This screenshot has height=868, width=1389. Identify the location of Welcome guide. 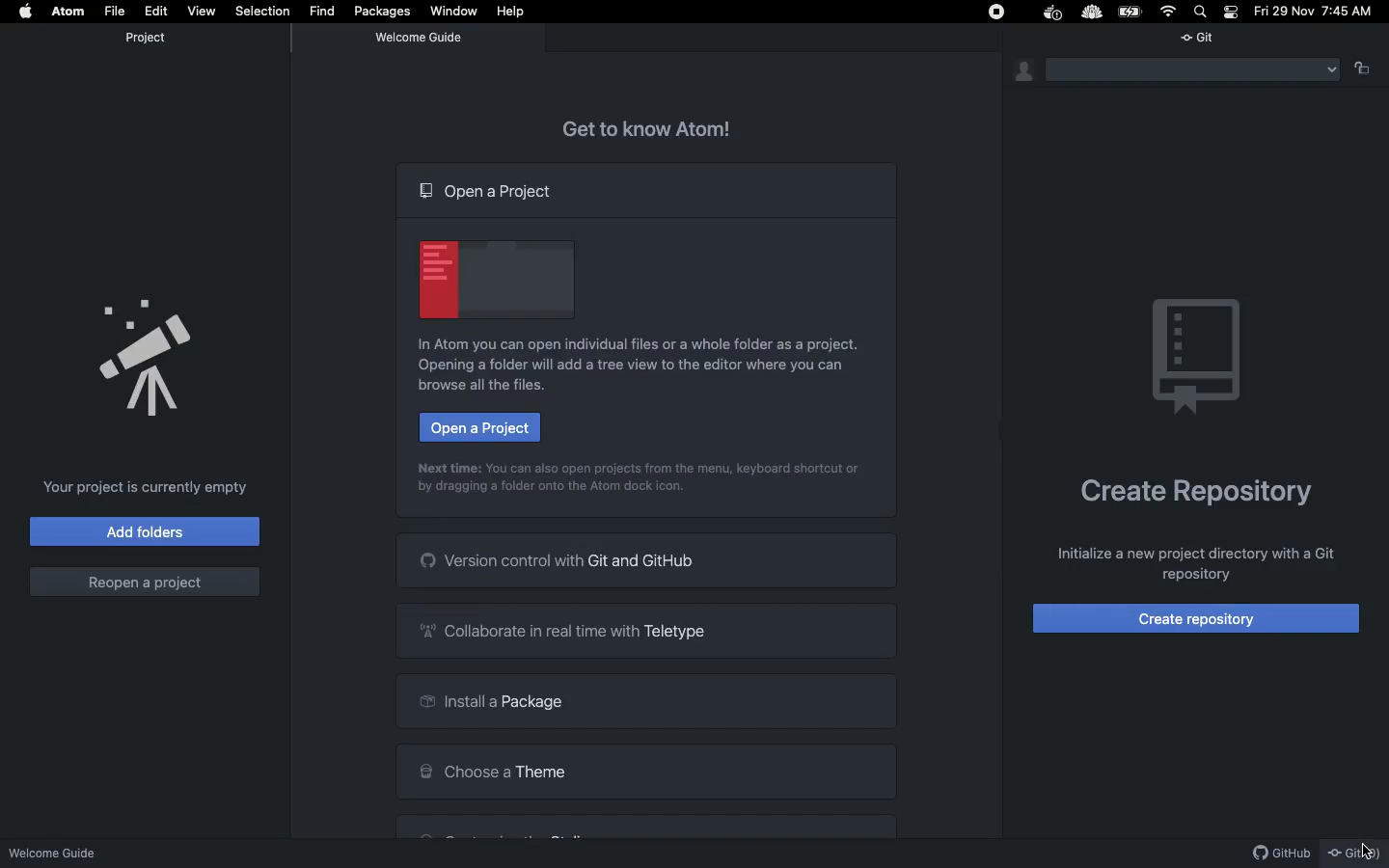
(422, 38).